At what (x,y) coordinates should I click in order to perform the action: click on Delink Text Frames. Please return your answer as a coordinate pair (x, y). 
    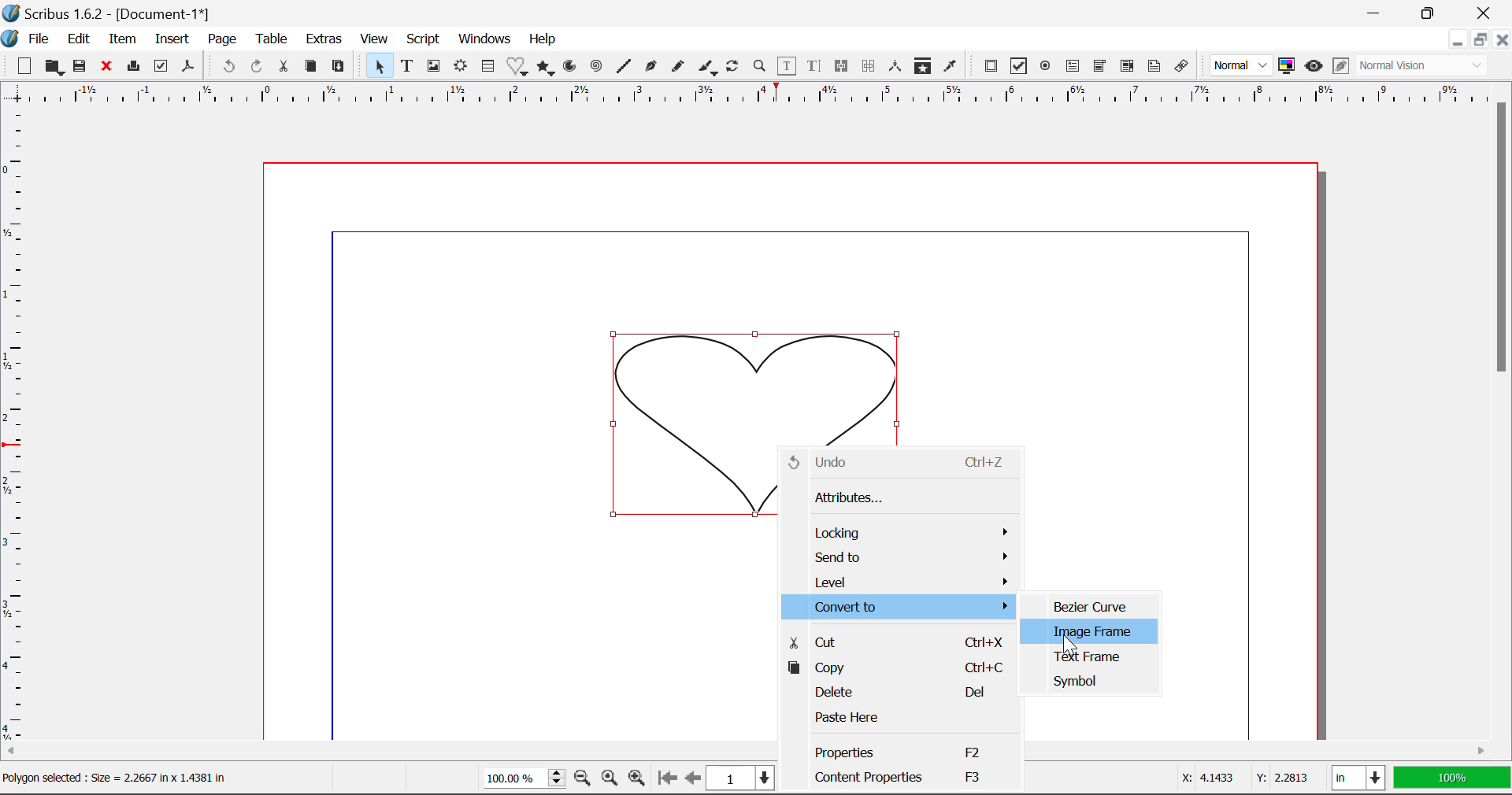
    Looking at the image, I should click on (870, 66).